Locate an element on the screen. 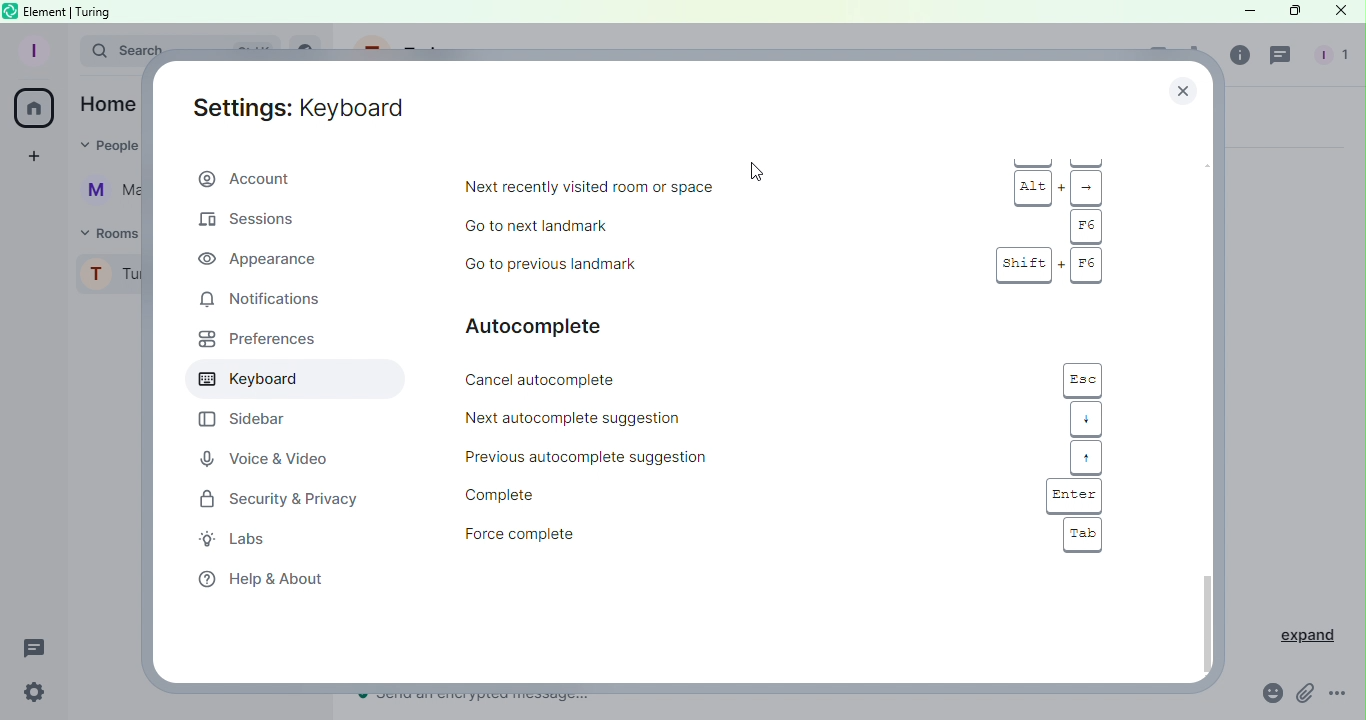 This screenshot has width=1366, height=720. Go to previous landmark is located at coordinates (666, 265).